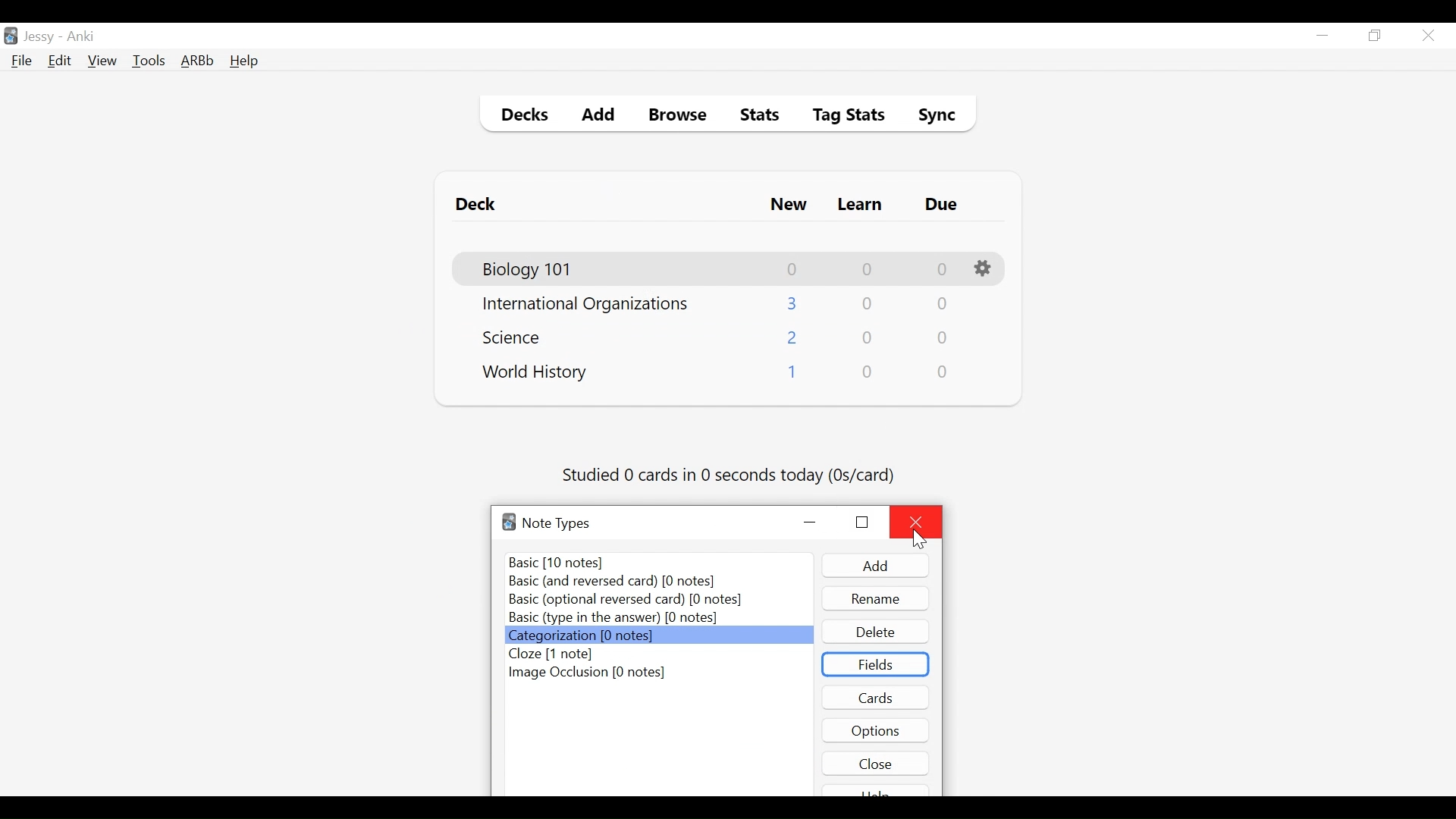 This screenshot has width=1456, height=819. Describe the element at coordinates (868, 372) in the screenshot. I see `` at that location.